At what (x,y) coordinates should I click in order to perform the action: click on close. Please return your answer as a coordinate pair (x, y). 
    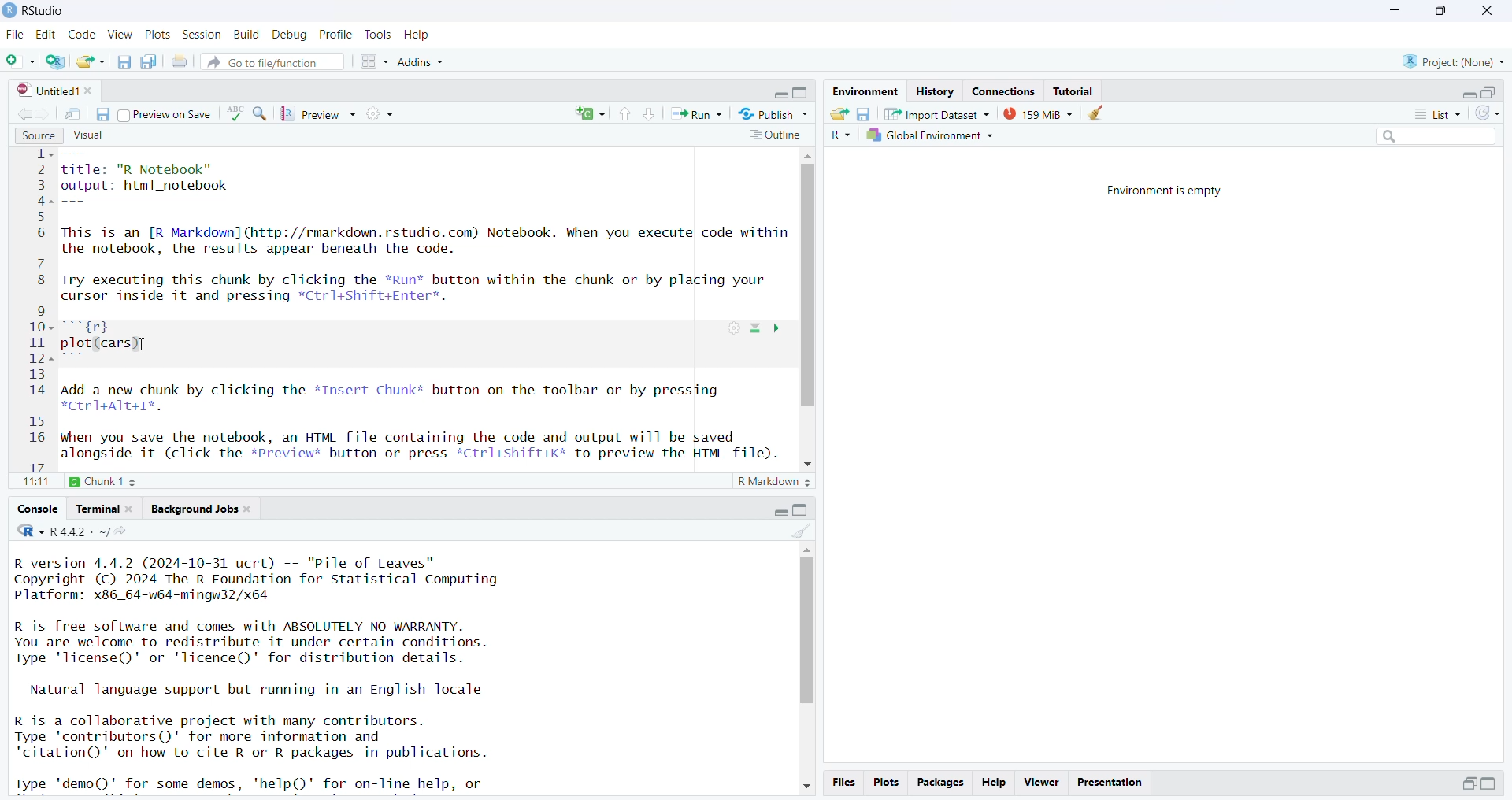
    Looking at the image, I should click on (1484, 10).